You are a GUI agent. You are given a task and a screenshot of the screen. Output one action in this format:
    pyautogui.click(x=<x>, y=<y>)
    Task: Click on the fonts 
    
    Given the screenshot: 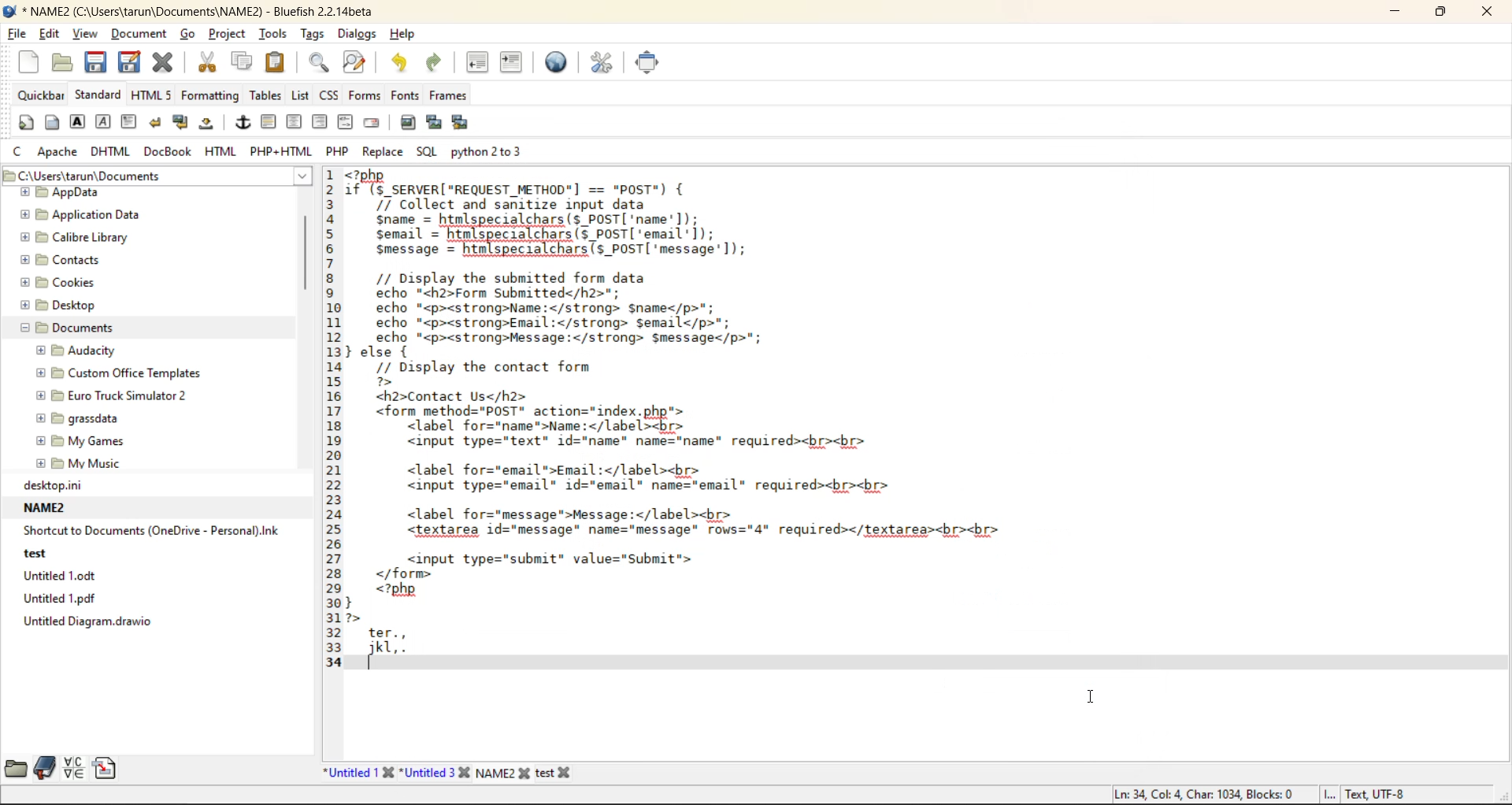 What is the action you would take?
    pyautogui.click(x=404, y=95)
    